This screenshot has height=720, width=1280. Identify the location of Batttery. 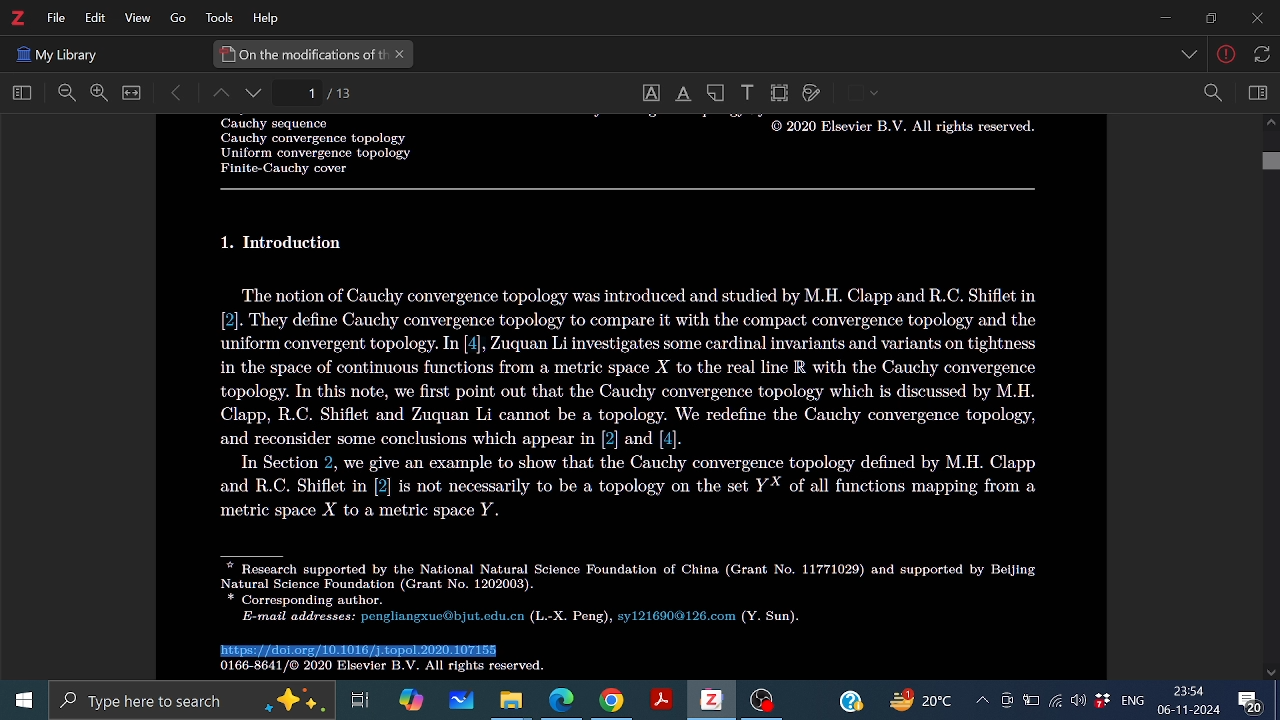
(1031, 701).